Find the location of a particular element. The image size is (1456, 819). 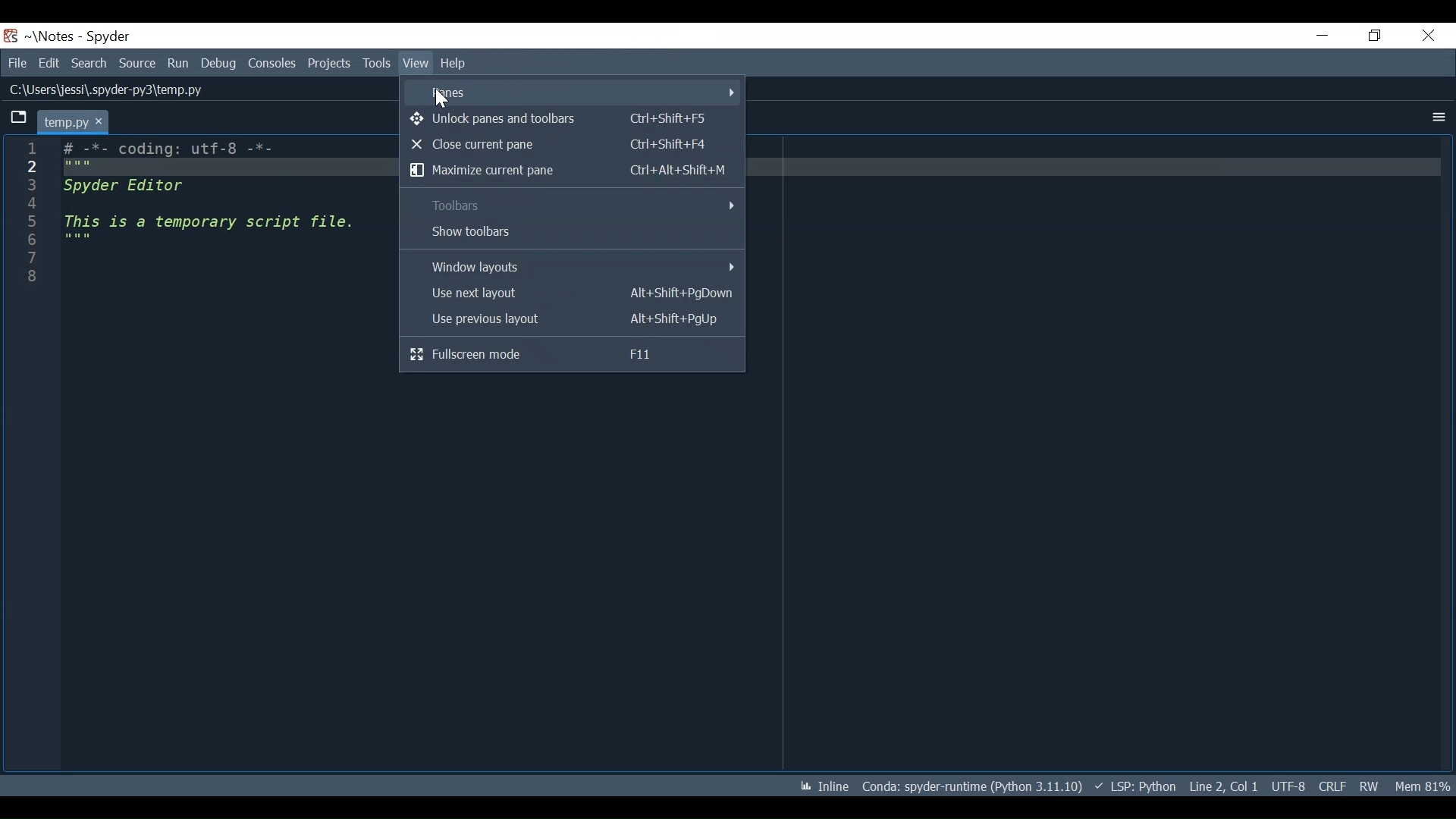

Inline is located at coordinates (824, 786).